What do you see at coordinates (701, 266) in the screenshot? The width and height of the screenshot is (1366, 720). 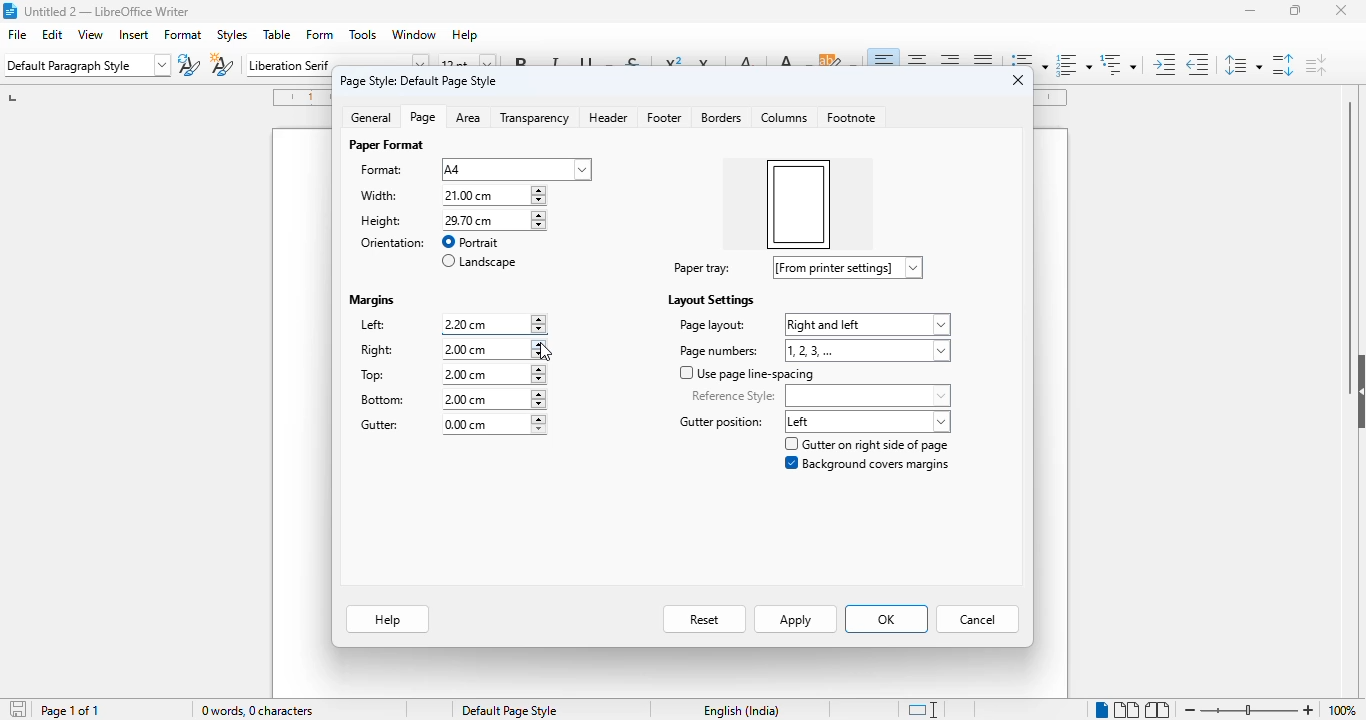 I see `paper tray` at bounding box center [701, 266].